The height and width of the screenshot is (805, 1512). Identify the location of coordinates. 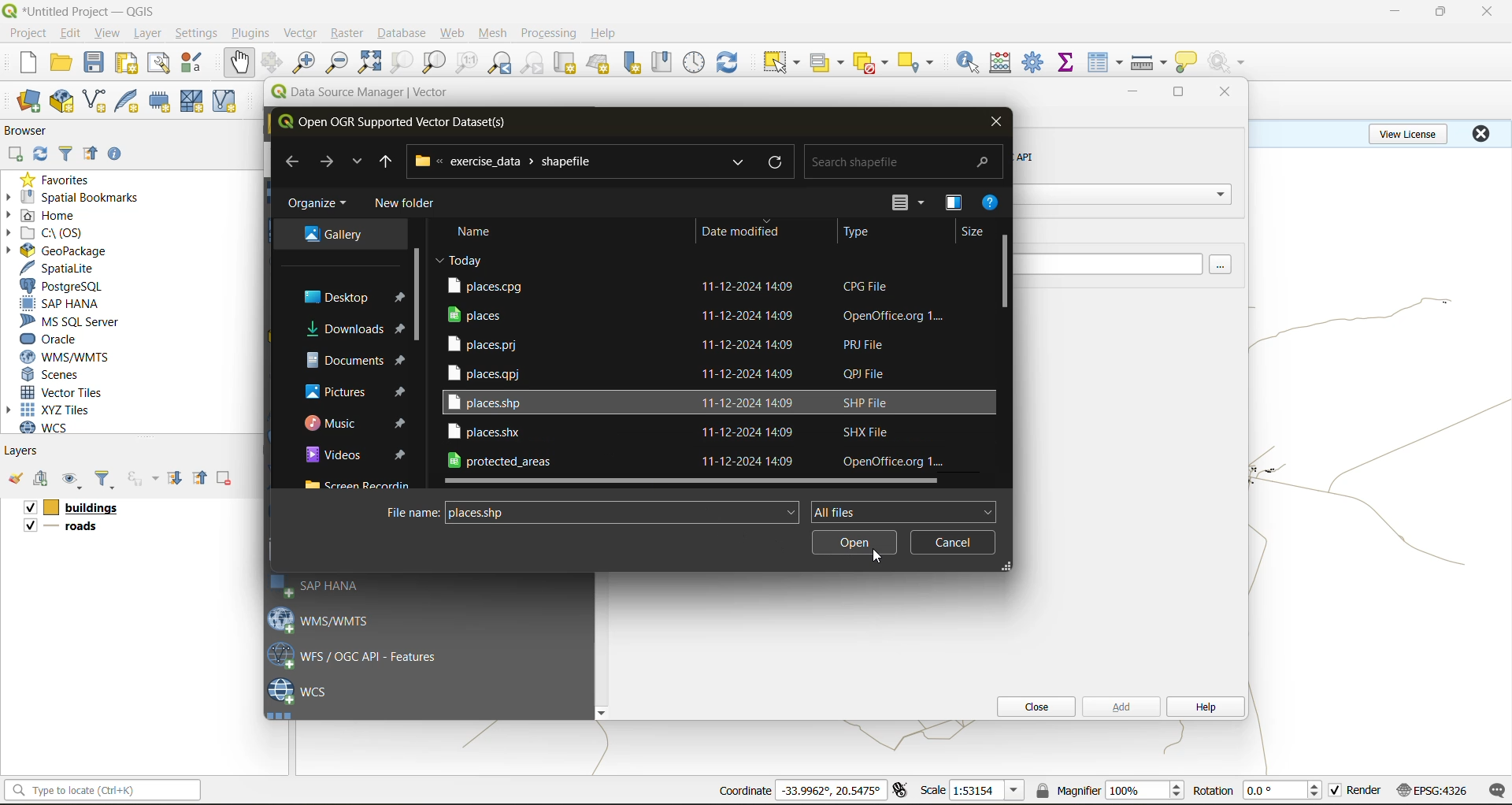
(831, 790).